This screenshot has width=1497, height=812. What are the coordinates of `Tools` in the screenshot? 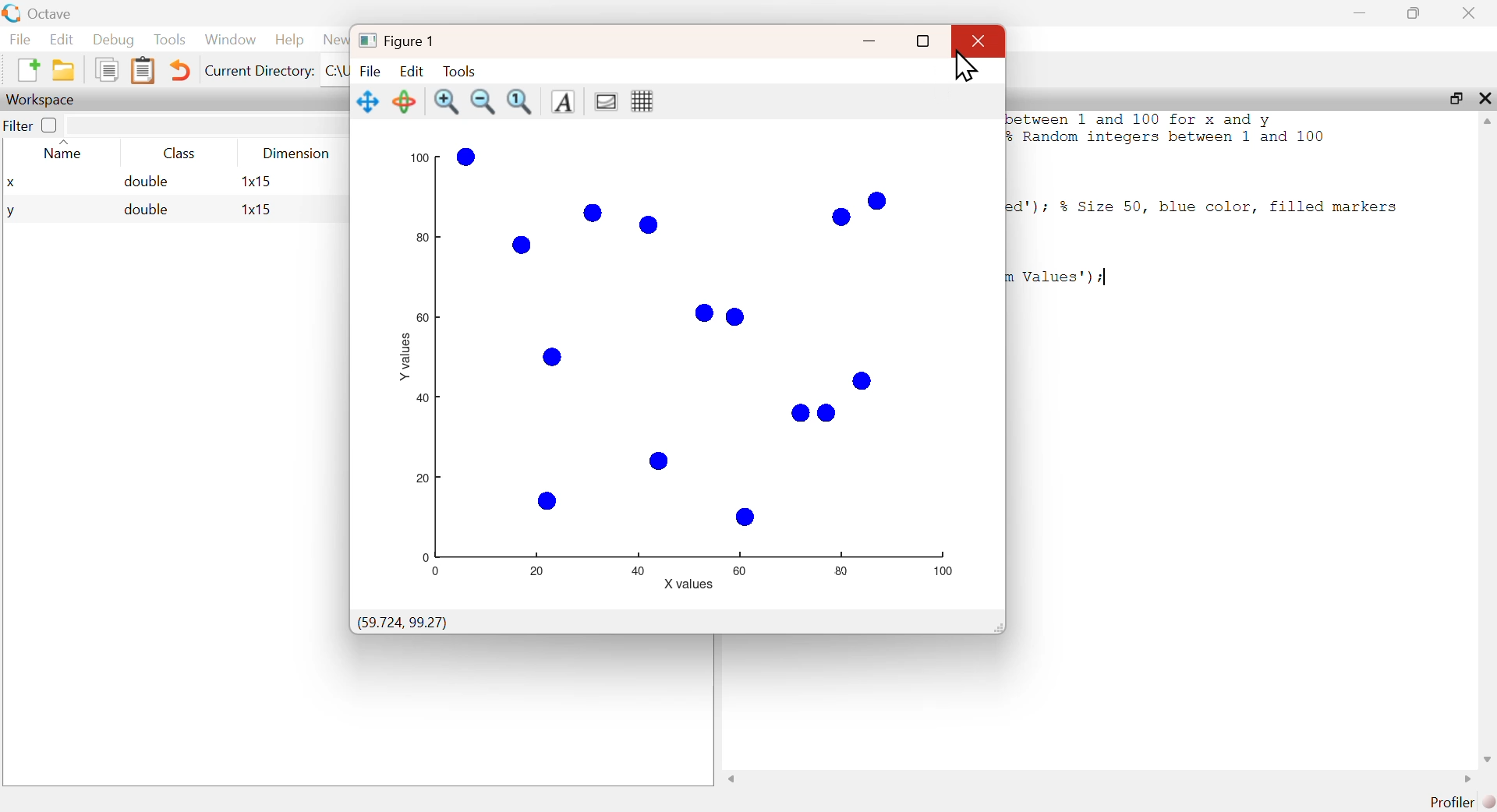 It's located at (461, 70).